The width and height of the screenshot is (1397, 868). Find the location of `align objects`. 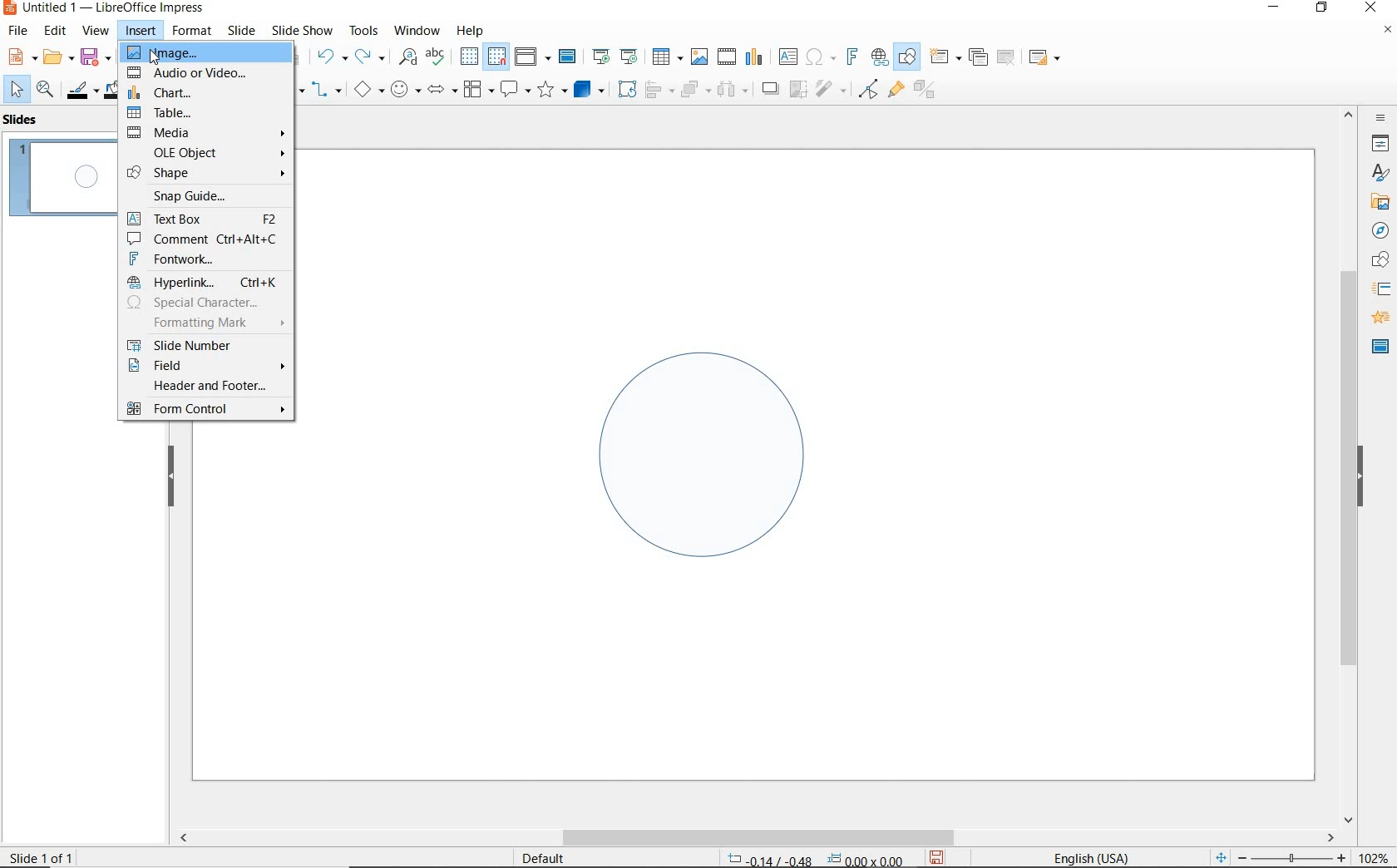

align objects is located at coordinates (655, 88).